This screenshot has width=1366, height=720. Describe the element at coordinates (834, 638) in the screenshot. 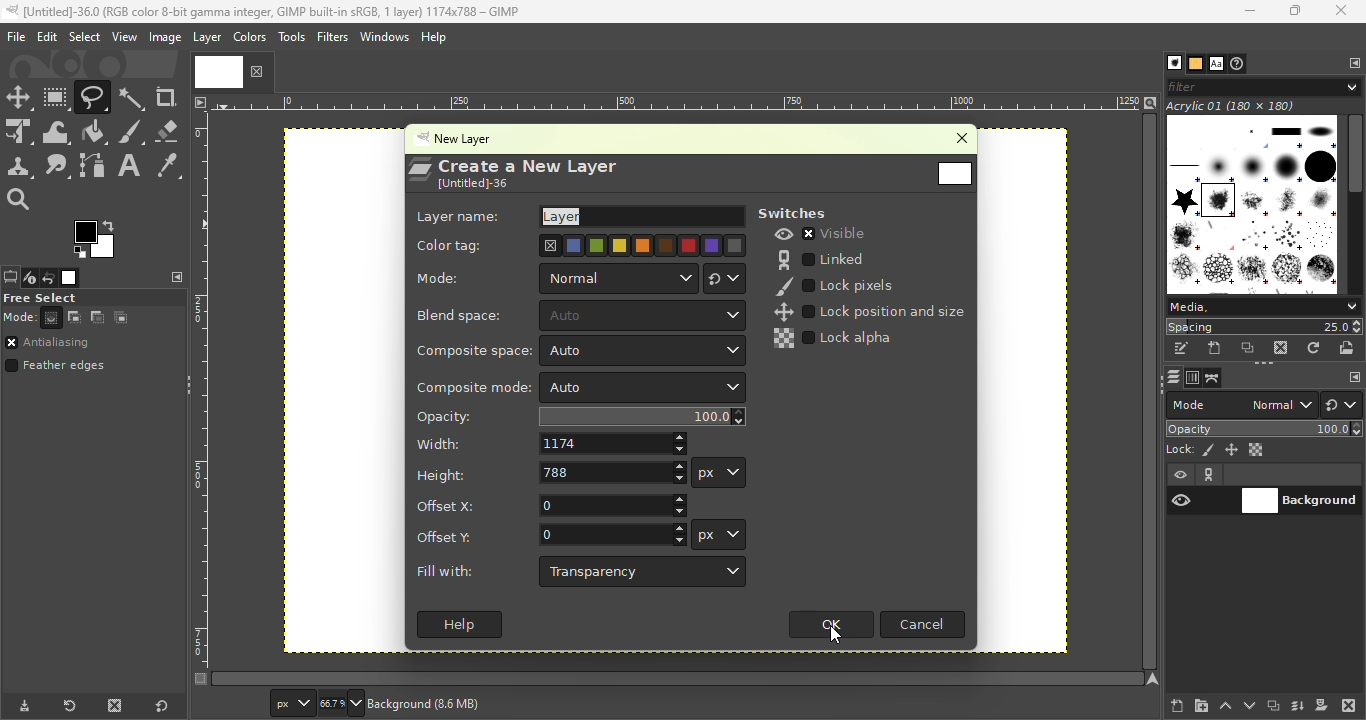

I see `cursor` at that location.